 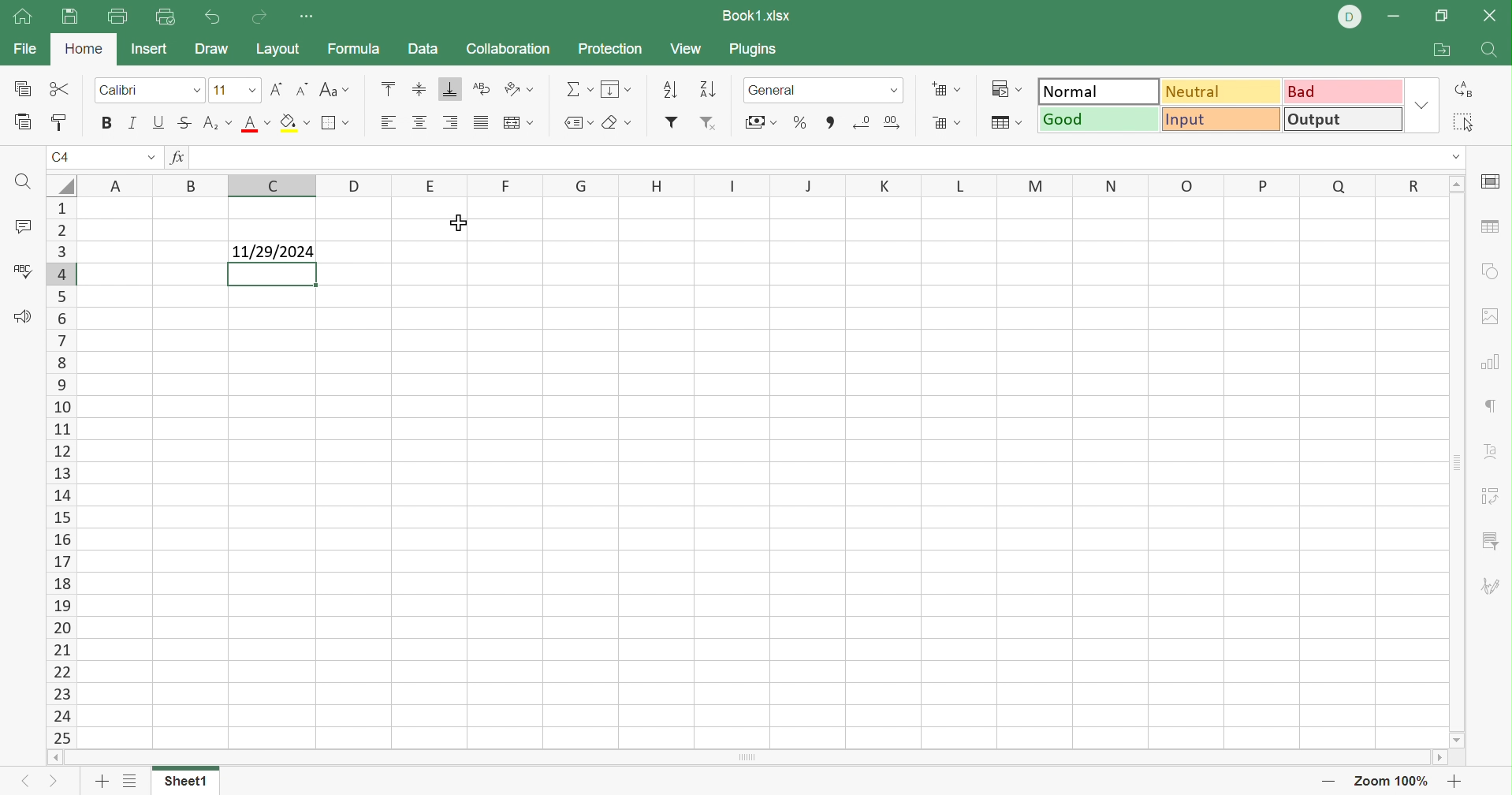 What do you see at coordinates (60, 185) in the screenshot?
I see `select all cells` at bounding box center [60, 185].